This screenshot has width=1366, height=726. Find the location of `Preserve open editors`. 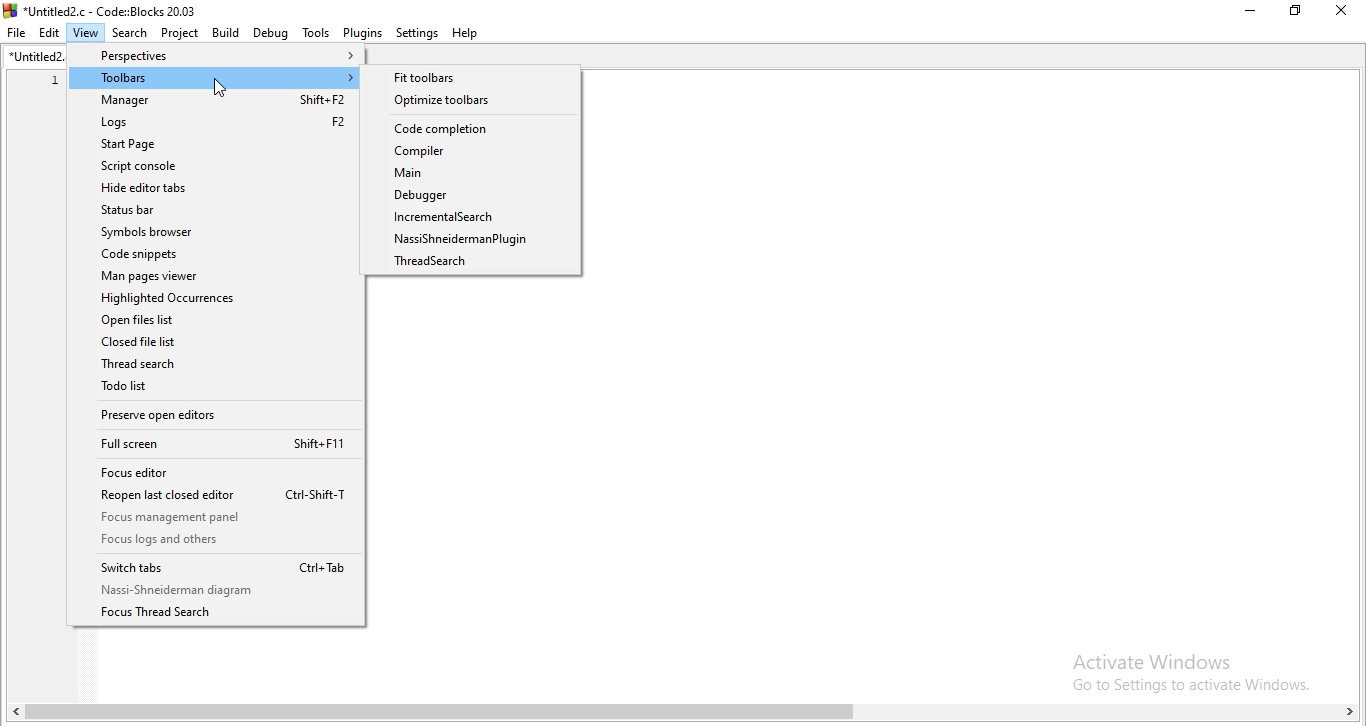

Preserve open editors is located at coordinates (215, 414).